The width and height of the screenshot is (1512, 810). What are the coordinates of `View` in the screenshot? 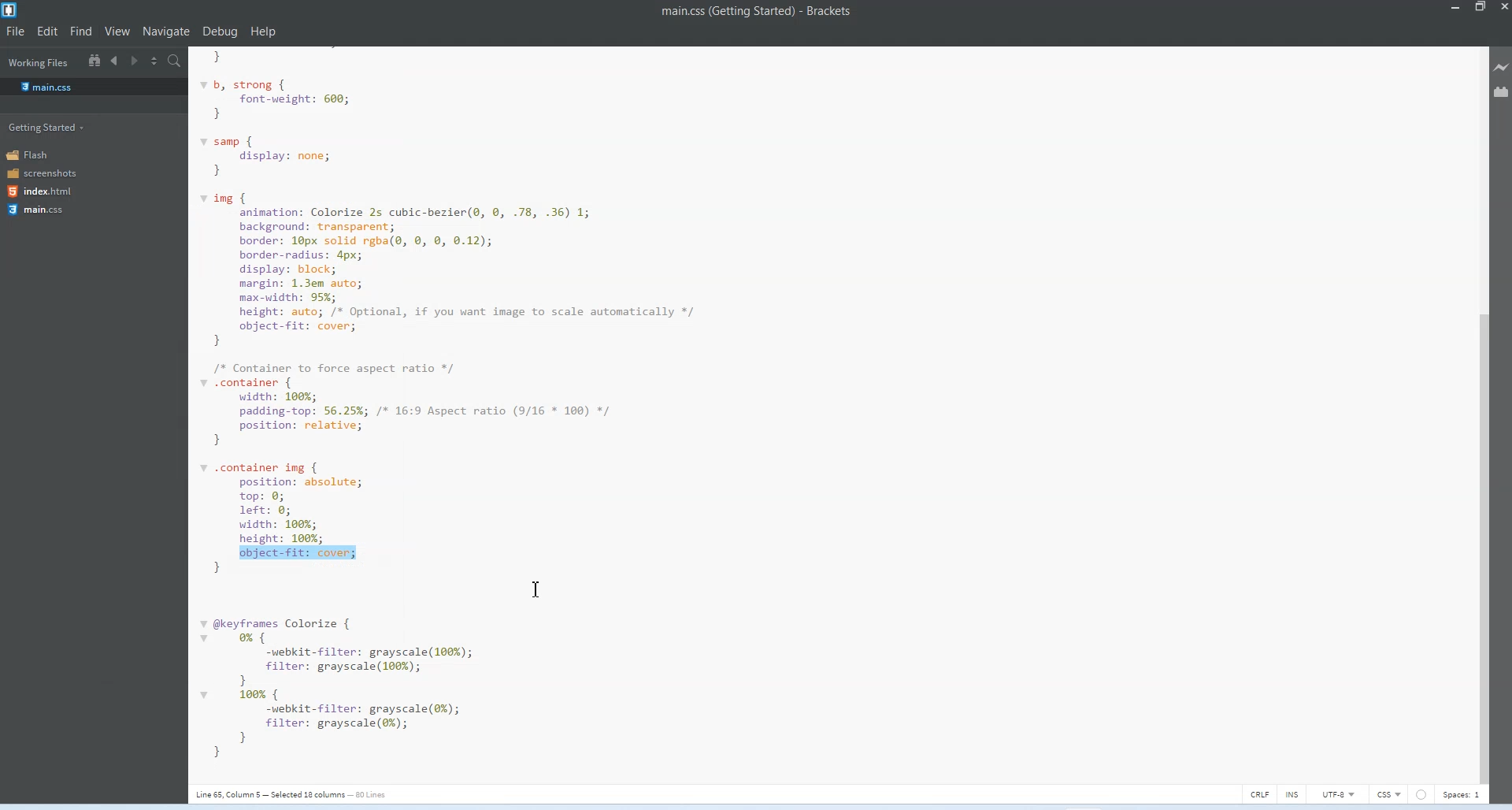 It's located at (116, 30).